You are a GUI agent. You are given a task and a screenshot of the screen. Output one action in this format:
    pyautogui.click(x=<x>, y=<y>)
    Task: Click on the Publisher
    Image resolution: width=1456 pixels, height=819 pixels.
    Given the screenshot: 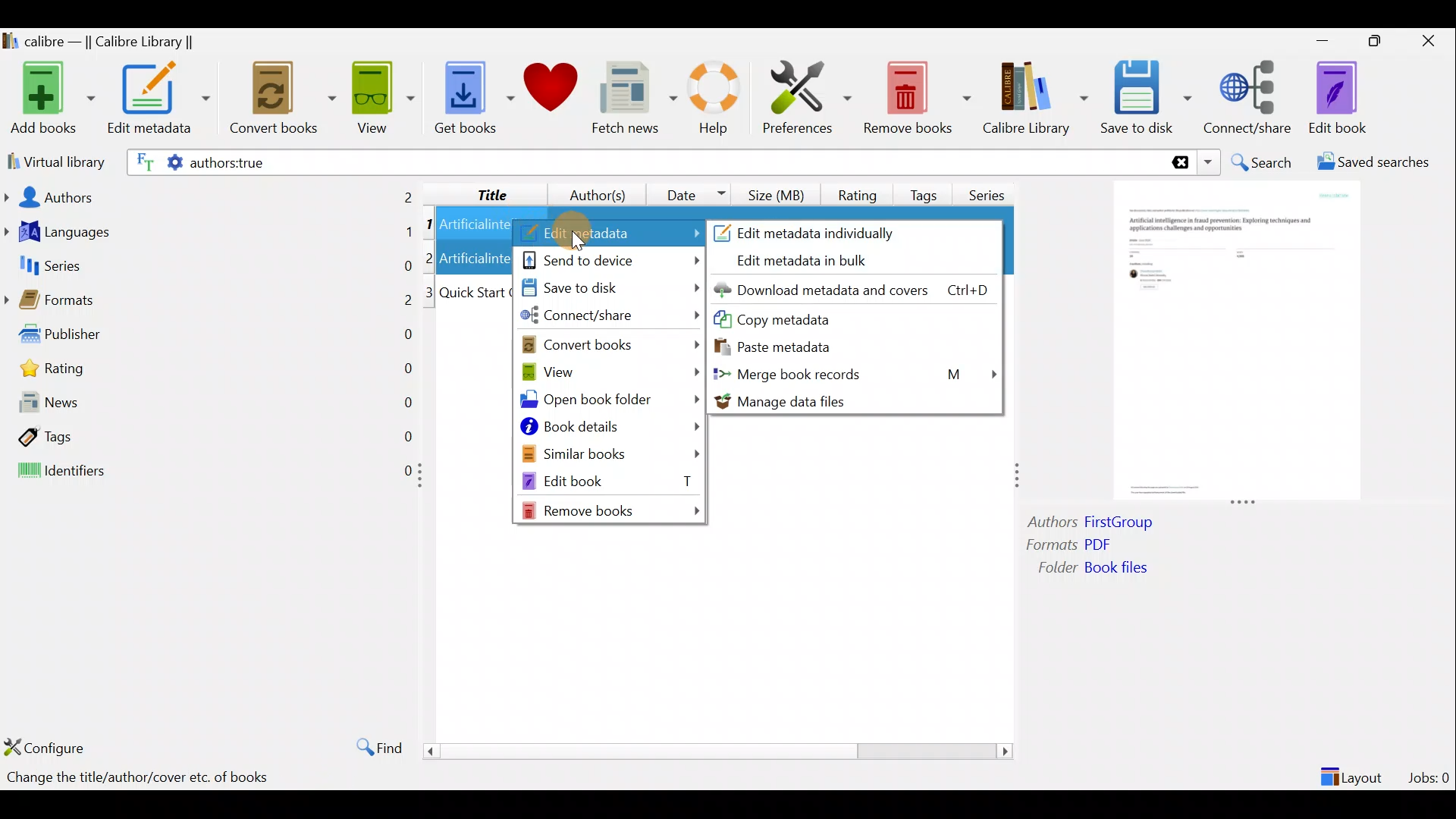 What is the action you would take?
    pyautogui.click(x=211, y=337)
    